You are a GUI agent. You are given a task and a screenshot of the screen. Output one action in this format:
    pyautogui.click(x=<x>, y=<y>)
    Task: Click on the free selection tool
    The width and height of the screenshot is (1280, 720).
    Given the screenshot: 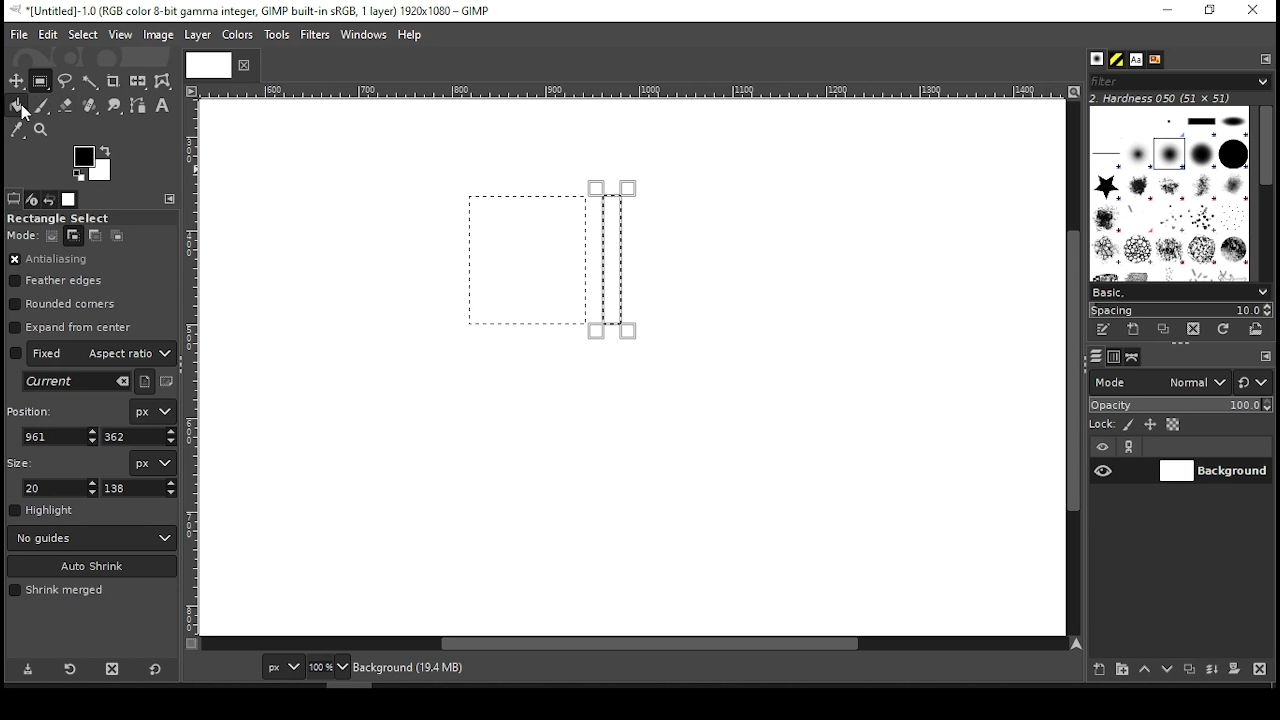 What is the action you would take?
    pyautogui.click(x=68, y=82)
    